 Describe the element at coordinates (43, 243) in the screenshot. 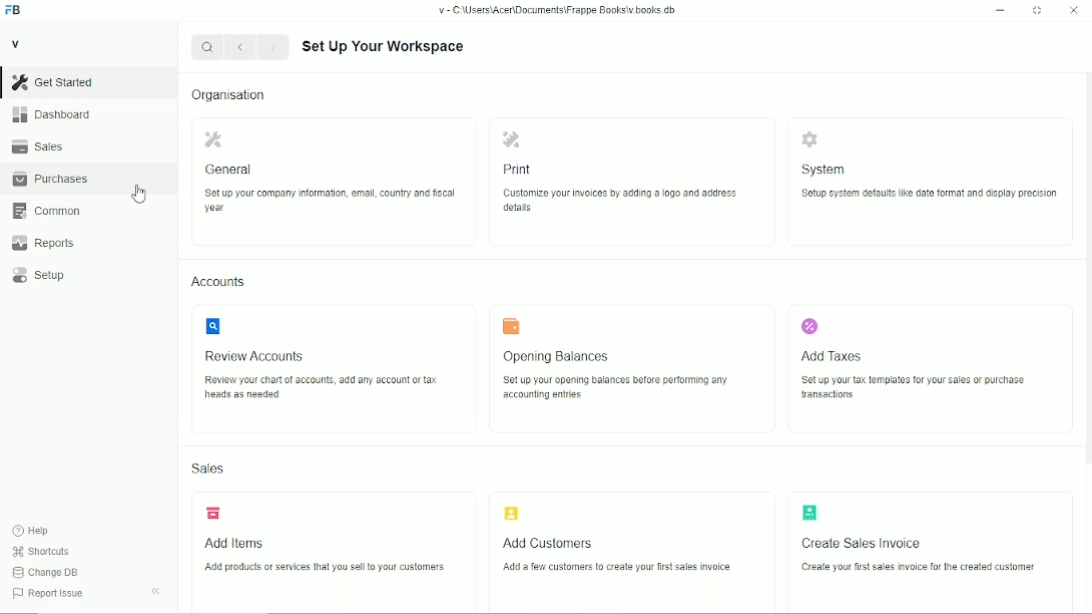

I see `reports` at that location.